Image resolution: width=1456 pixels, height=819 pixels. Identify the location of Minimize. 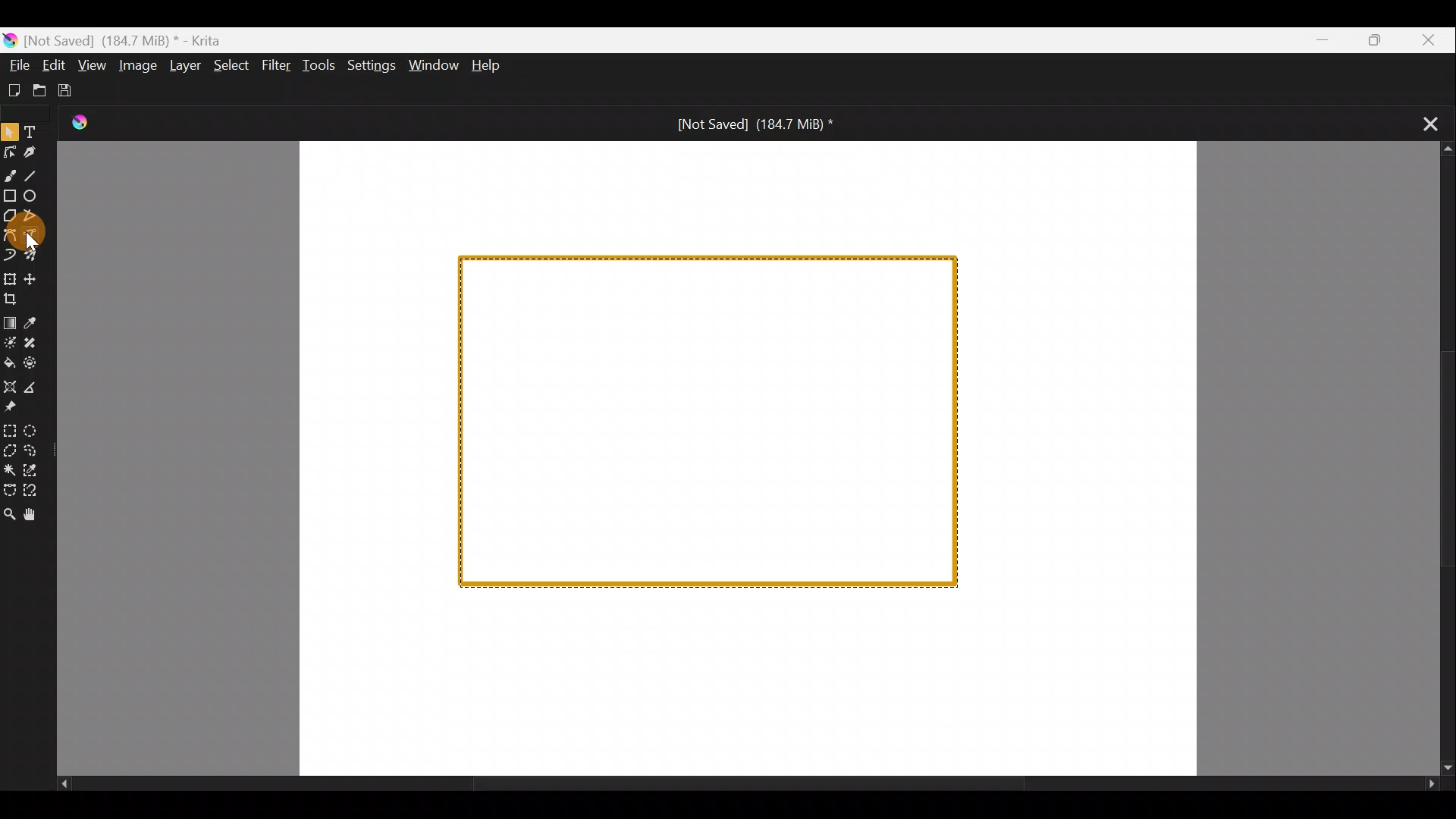
(1321, 40).